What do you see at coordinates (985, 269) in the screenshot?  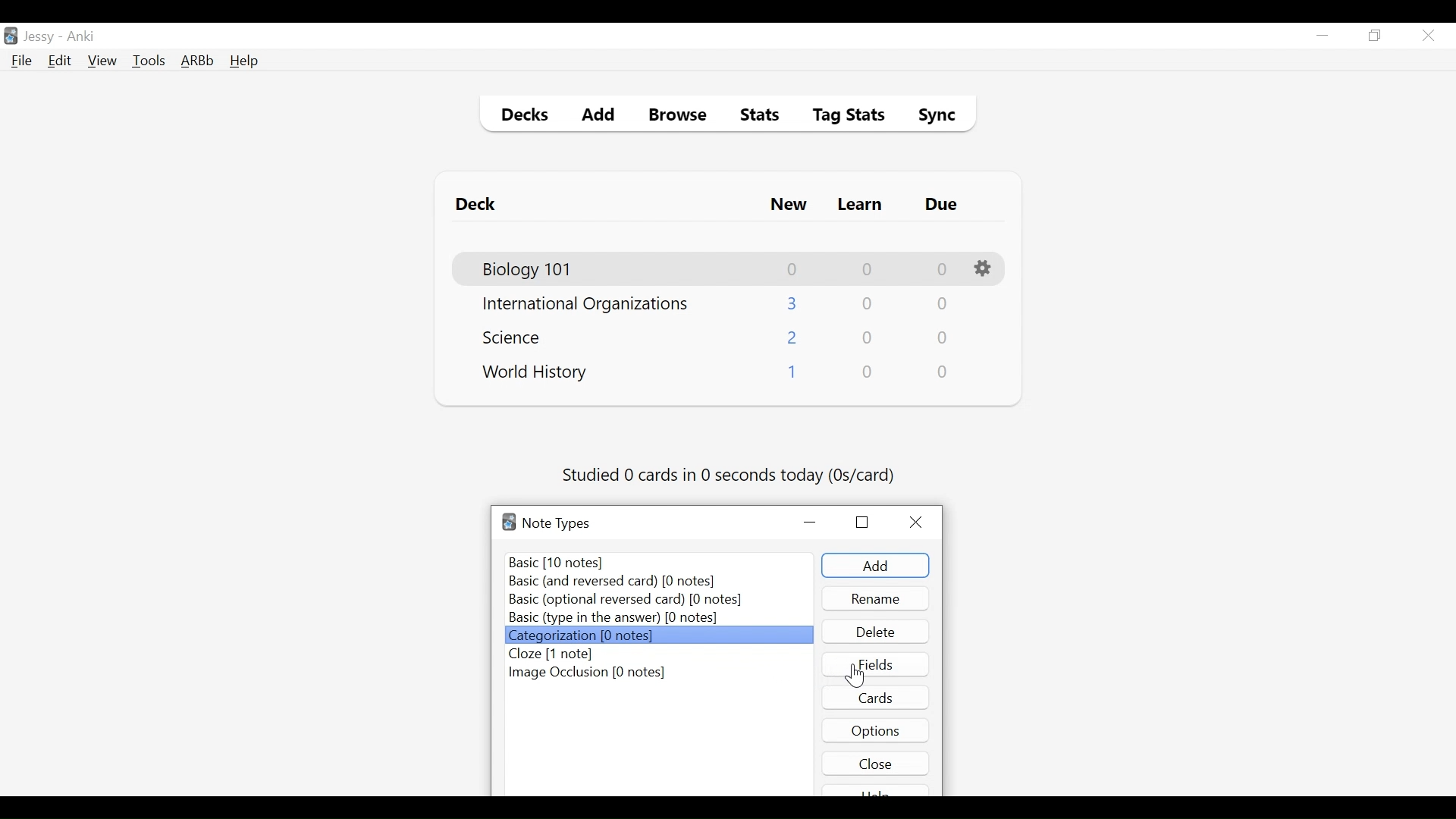 I see `Options` at bounding box center [985, 269].